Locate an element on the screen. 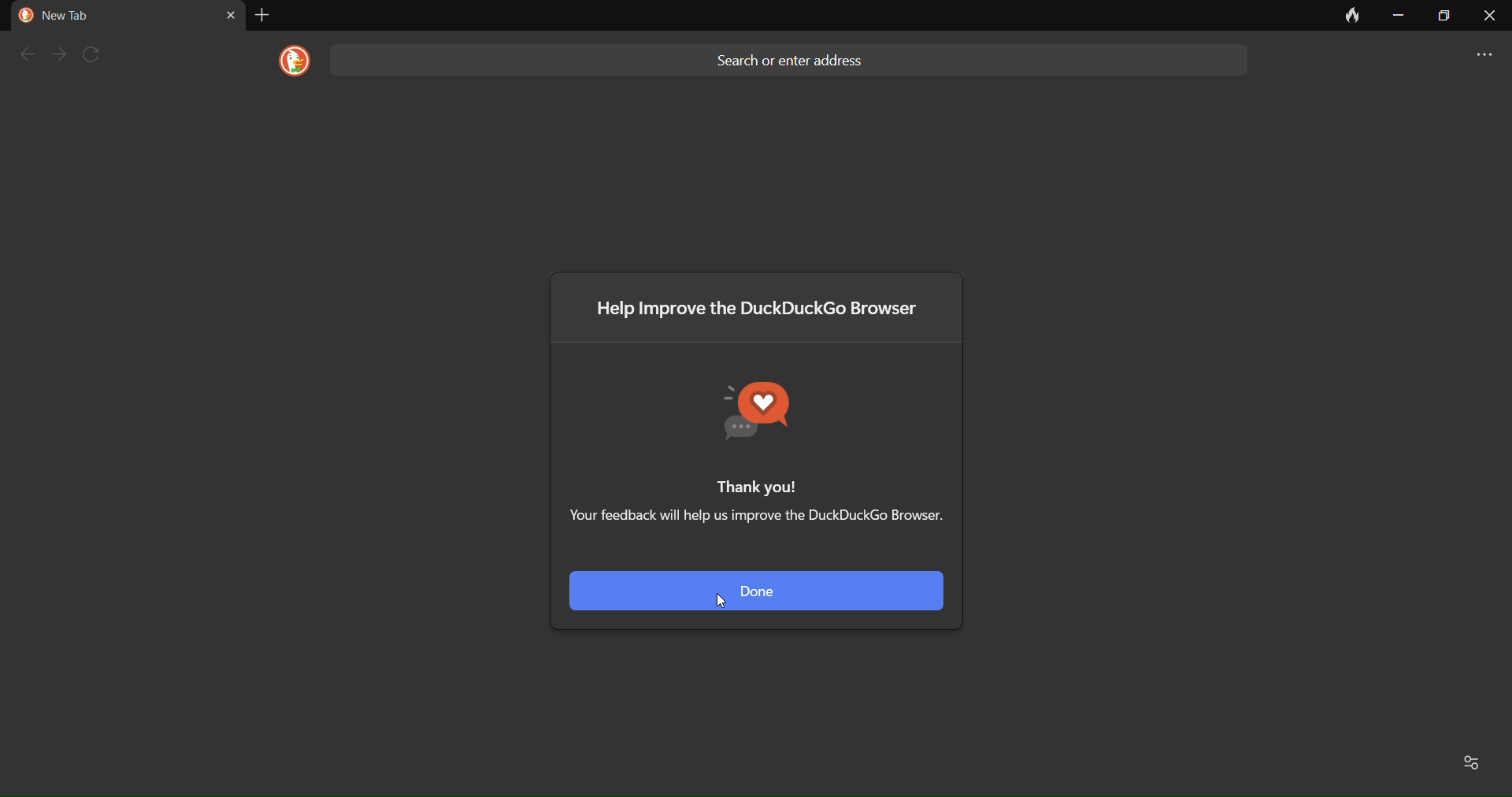 The width and height of the screenshot is (1512, 797). clear data is located at coordinates (1345, 20).